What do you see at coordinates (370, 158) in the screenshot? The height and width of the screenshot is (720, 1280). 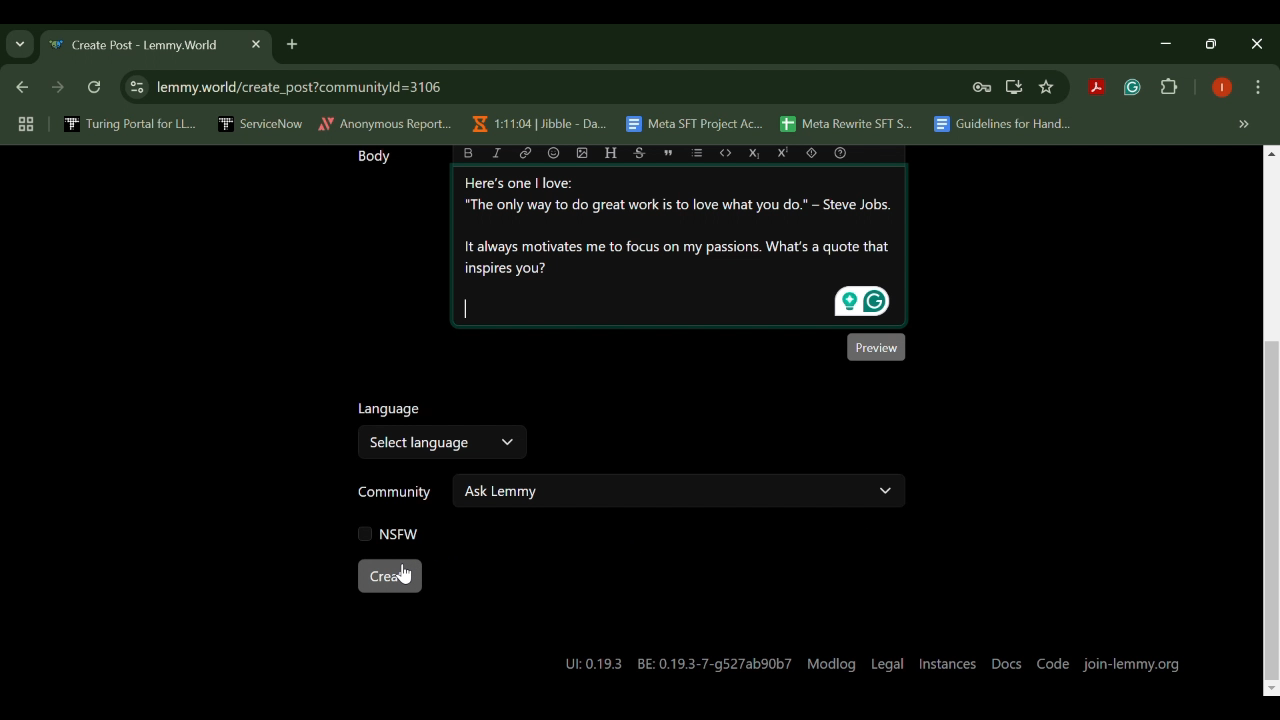 I see `Body` at bounding box center [370, 158].